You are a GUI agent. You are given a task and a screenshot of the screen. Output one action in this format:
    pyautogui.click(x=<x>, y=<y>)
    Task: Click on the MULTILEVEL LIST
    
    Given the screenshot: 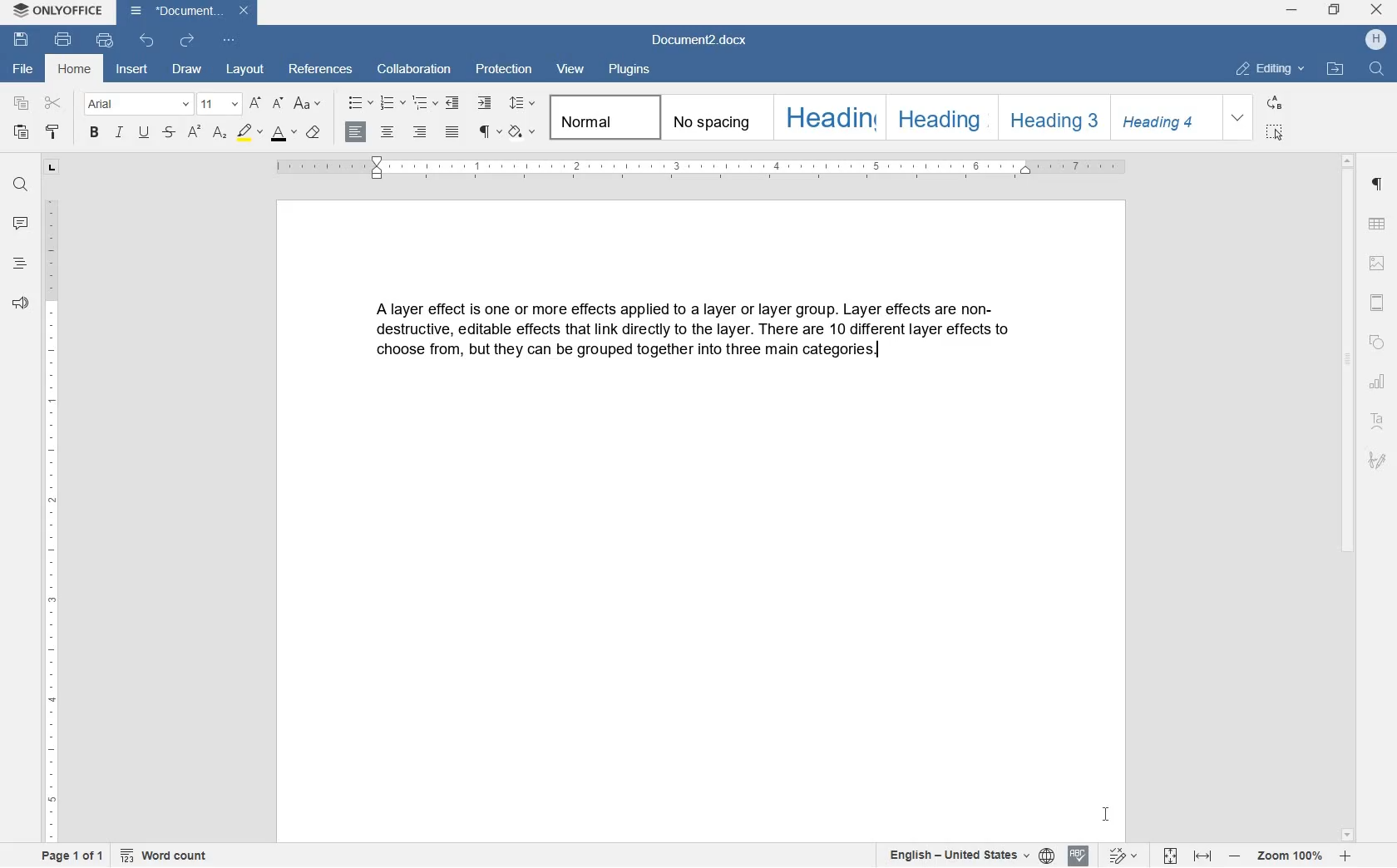 What is the action you would take?
    pyautogui.click(x=425, y=104)
    